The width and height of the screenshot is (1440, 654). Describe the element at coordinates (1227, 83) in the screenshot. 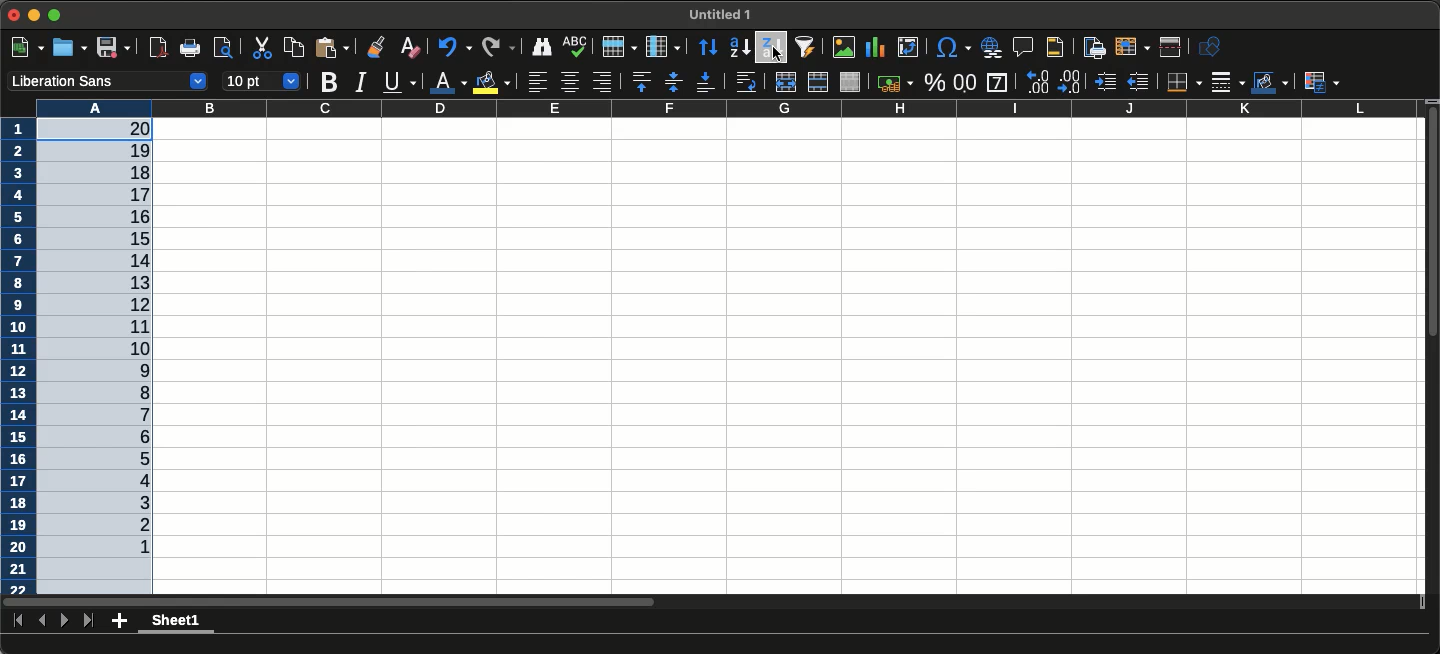

I see `Border style` at that location.